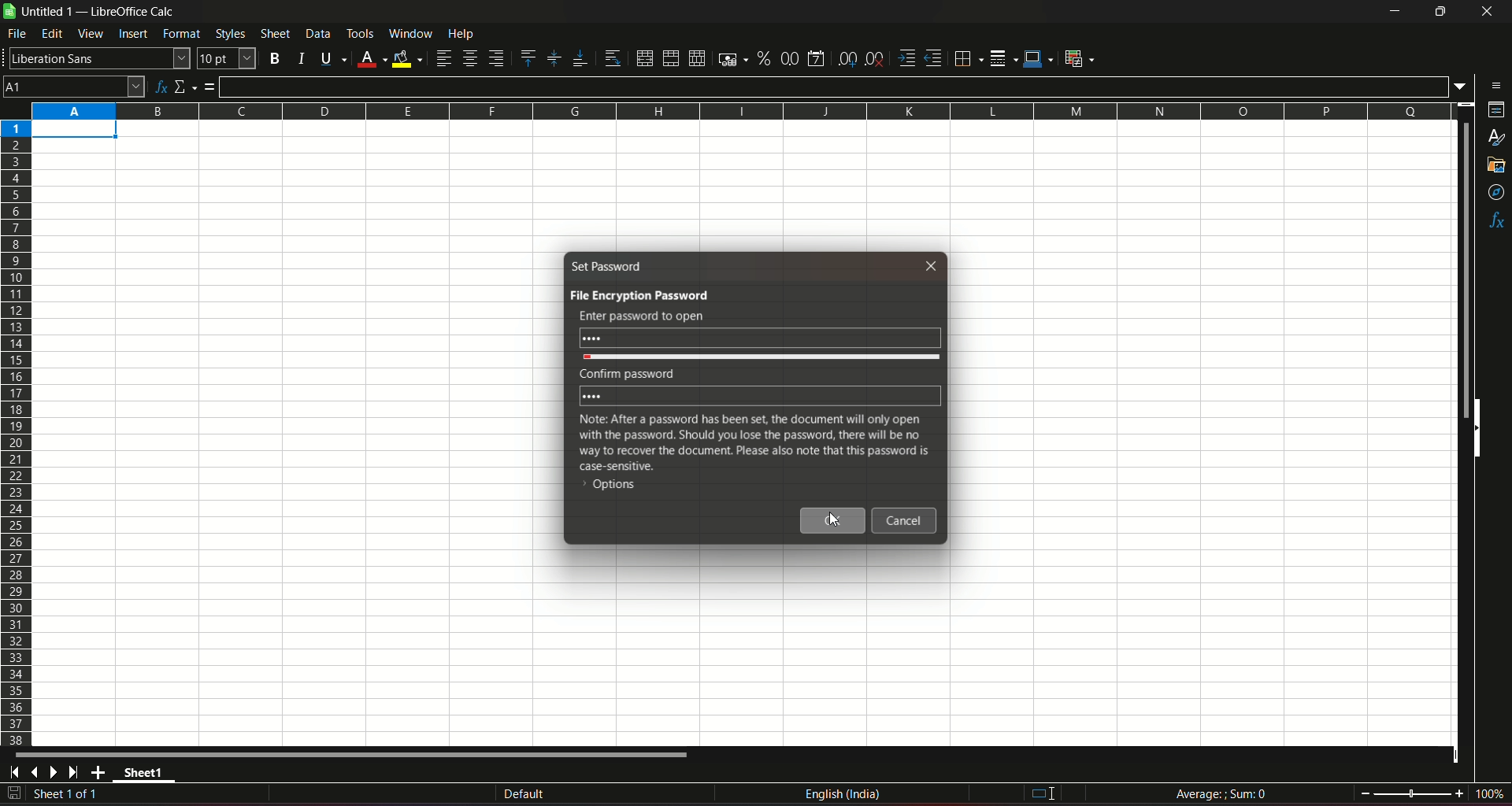  I want to click on borders, so click(968, 59).